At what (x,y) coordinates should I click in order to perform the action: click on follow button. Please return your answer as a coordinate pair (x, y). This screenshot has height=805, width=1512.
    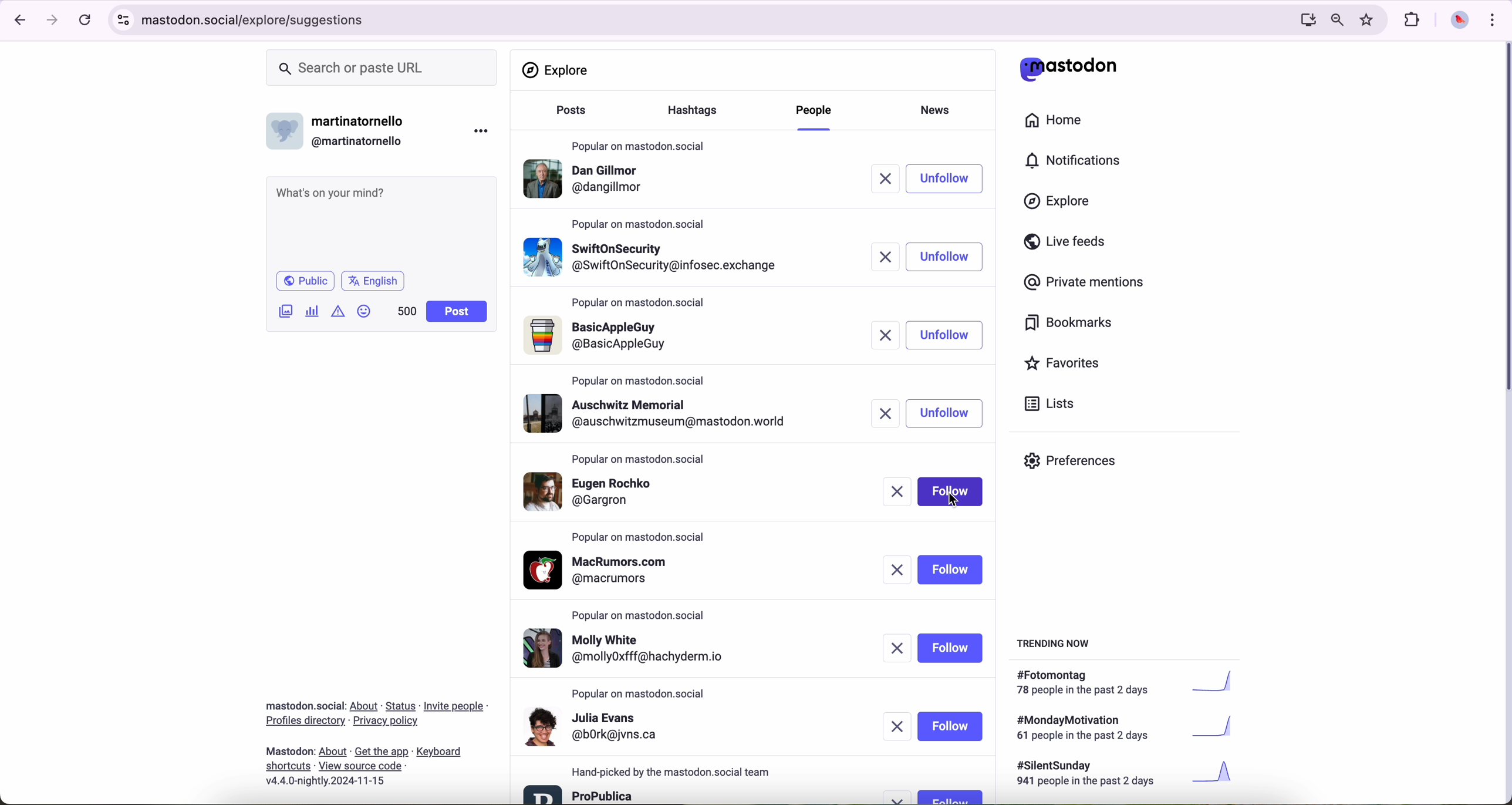
    Looking at the image, I should click on (951, 726).